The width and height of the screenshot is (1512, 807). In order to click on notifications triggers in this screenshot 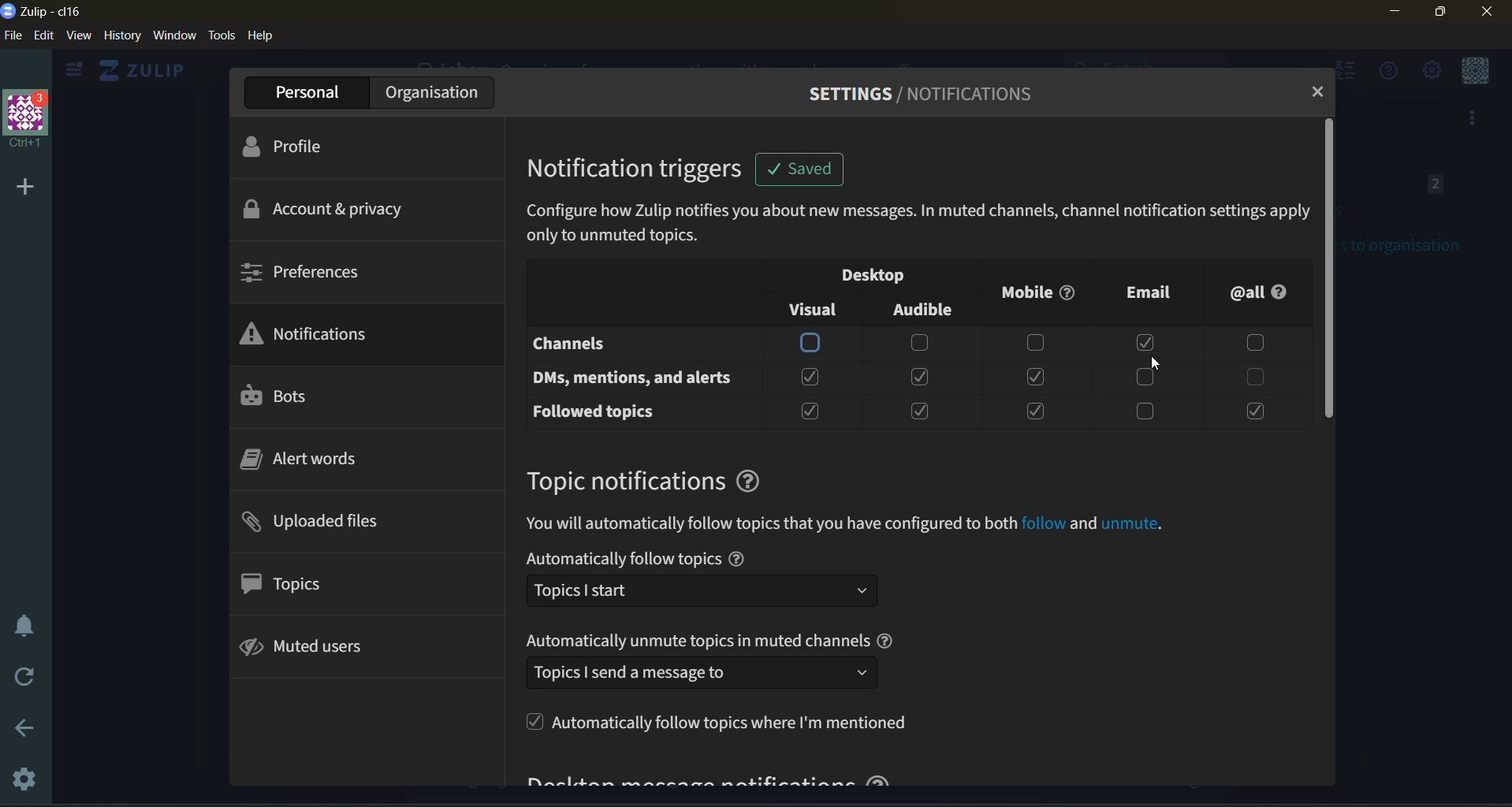, I will do `click(640, 168)`.